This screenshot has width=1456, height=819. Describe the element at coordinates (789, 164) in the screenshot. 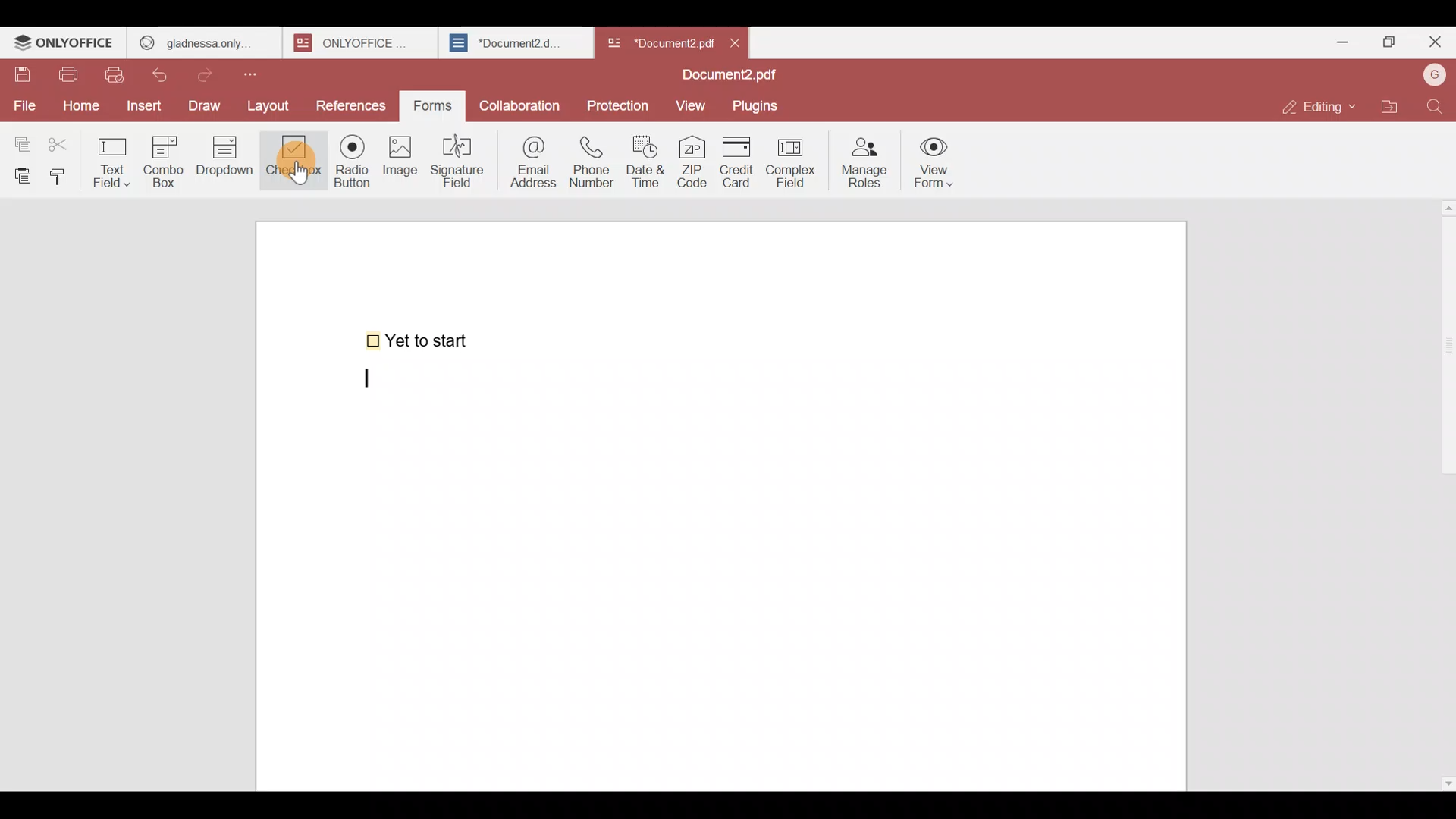

I see `Complex field` at that location.